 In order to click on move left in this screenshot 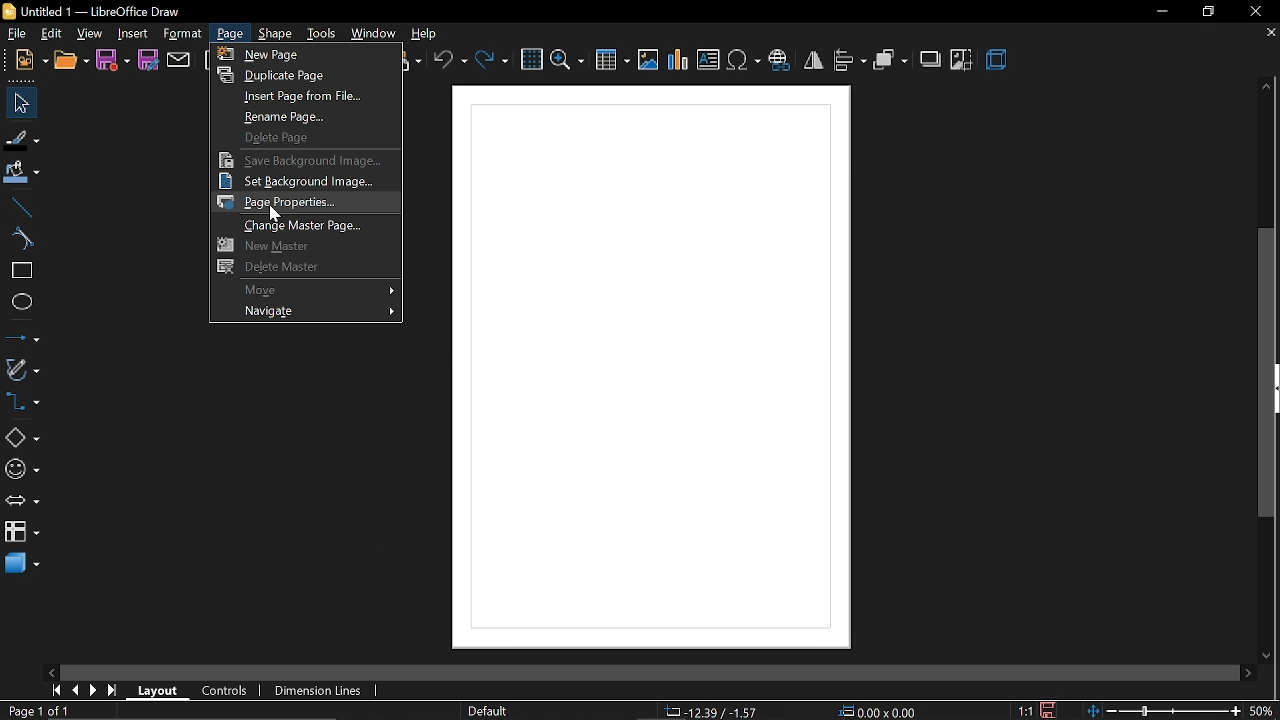, I will do `click(50, 672)`.